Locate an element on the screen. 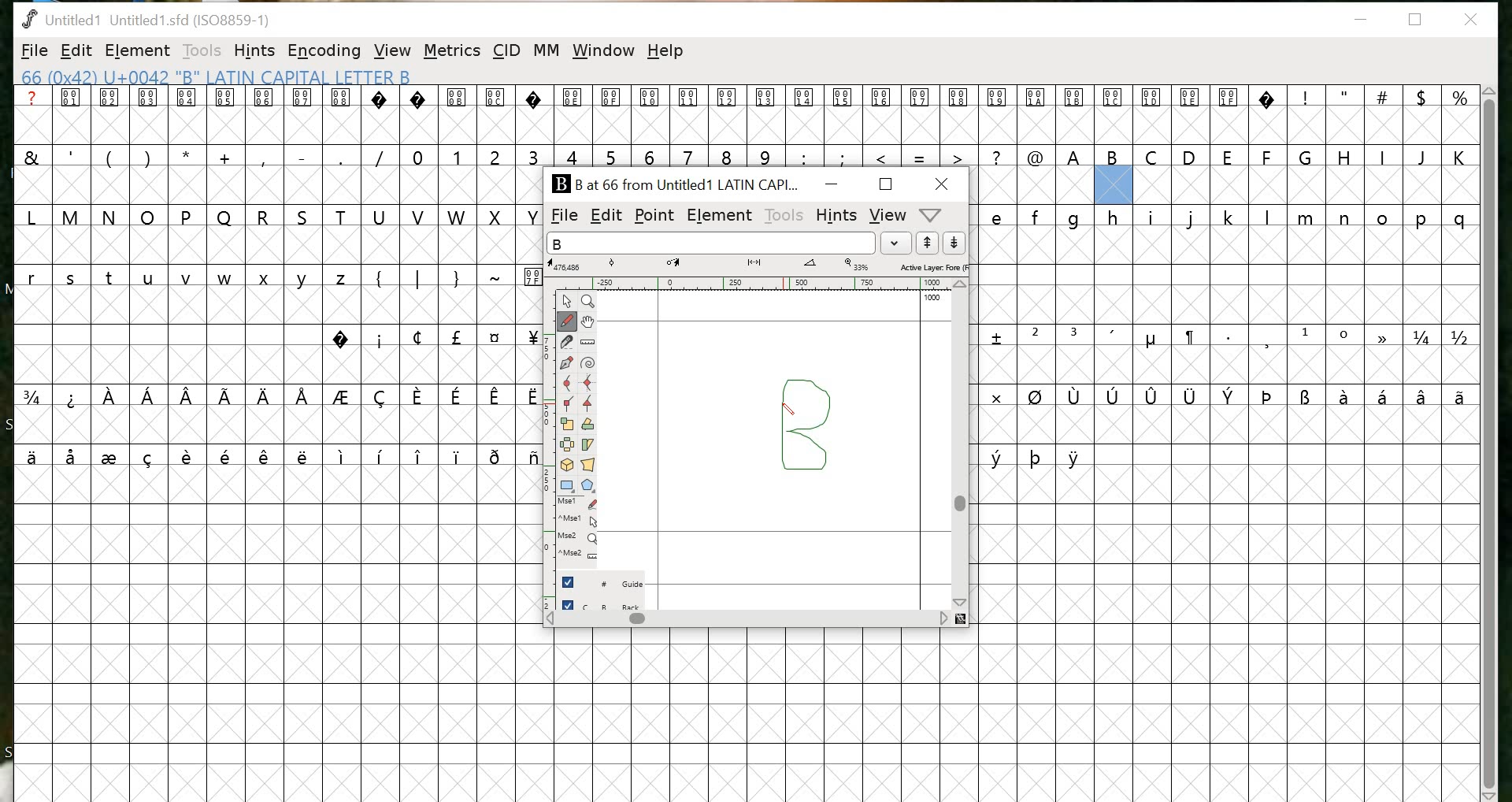 The image size is (1512, 802). back layer is located at coordinates (603, 603).